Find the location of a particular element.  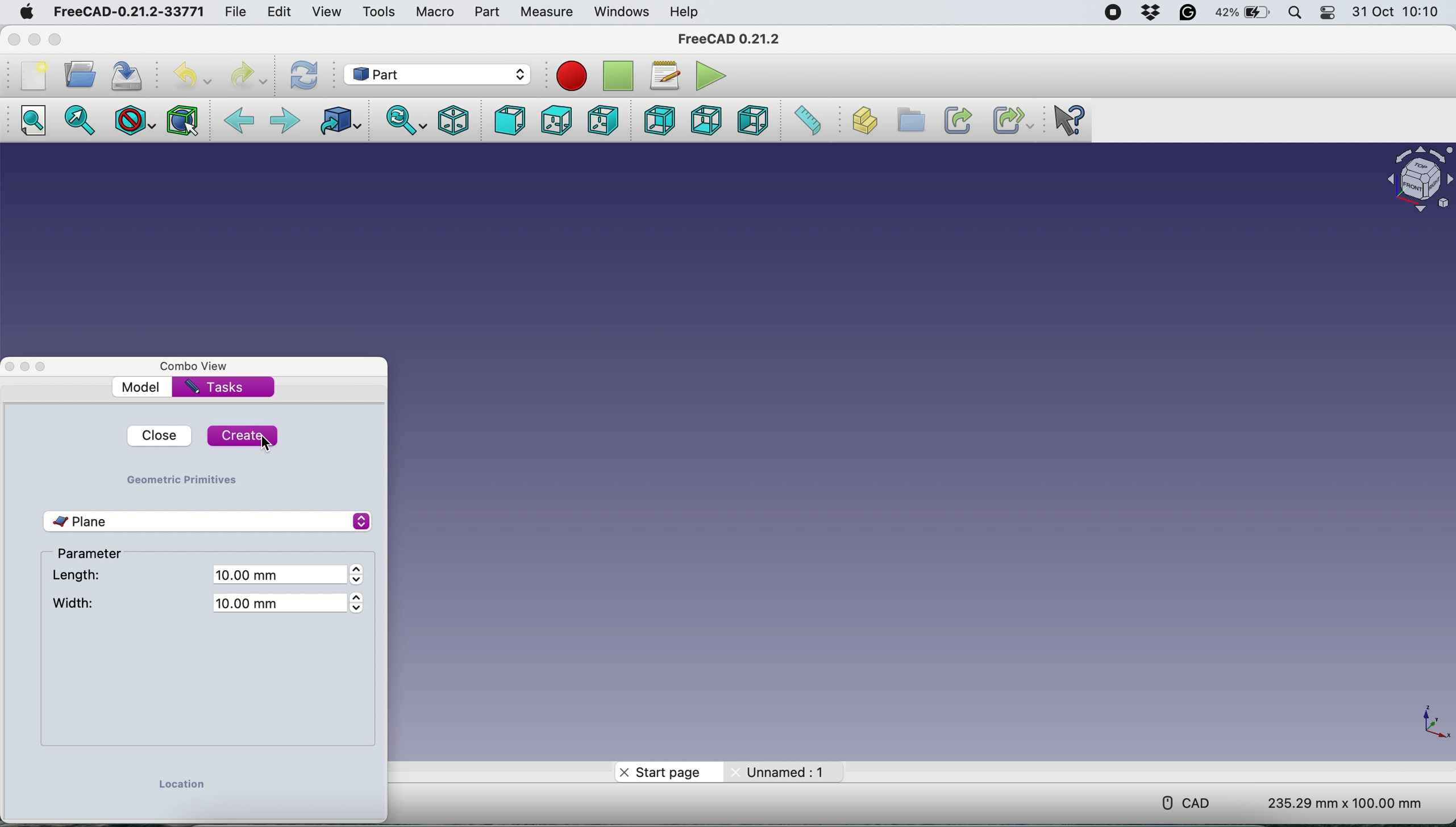

Execute macros is located at coordinates (712, 76).